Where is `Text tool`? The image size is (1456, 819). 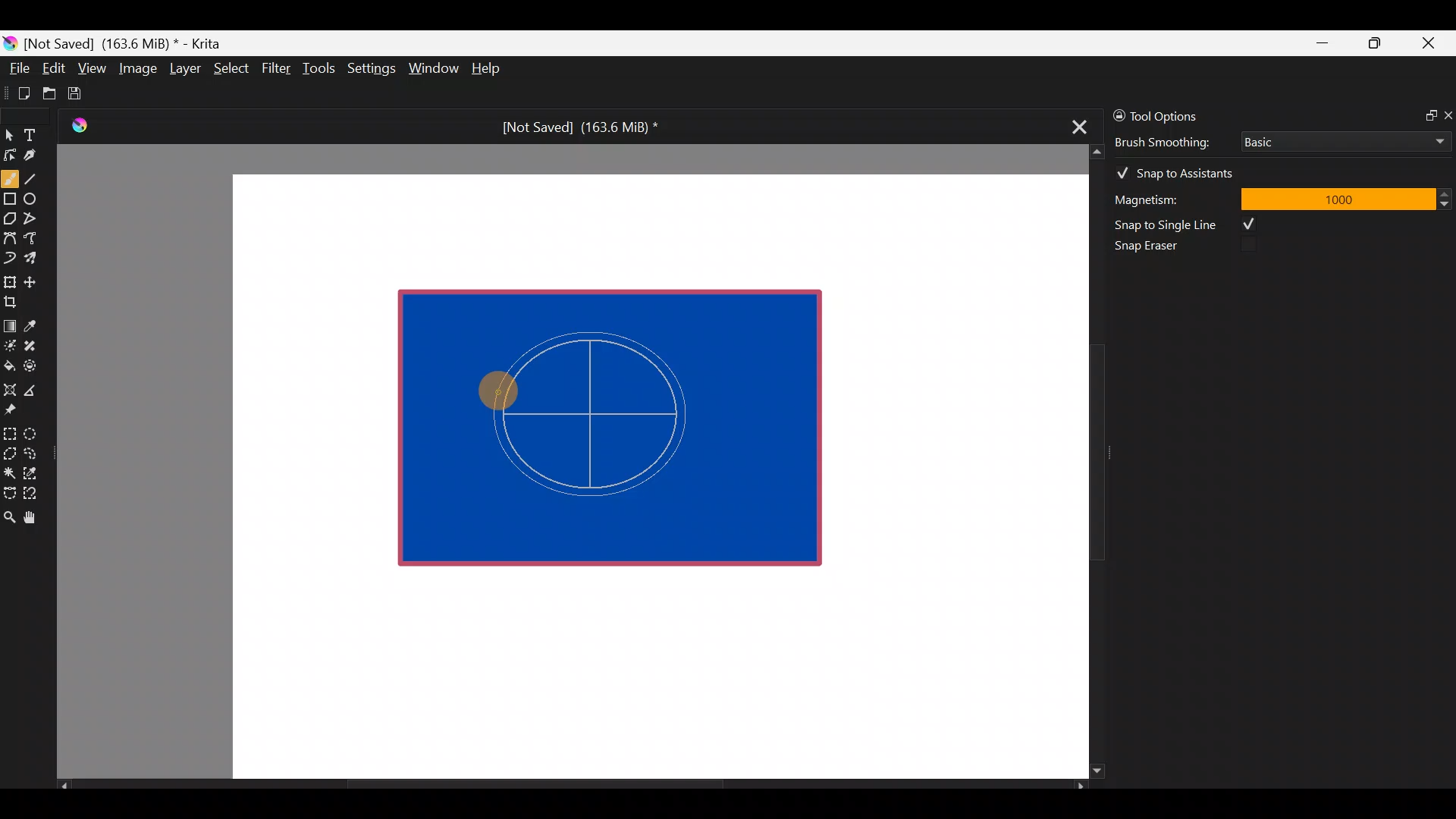
Text tool is located at coordinates (38, 134).